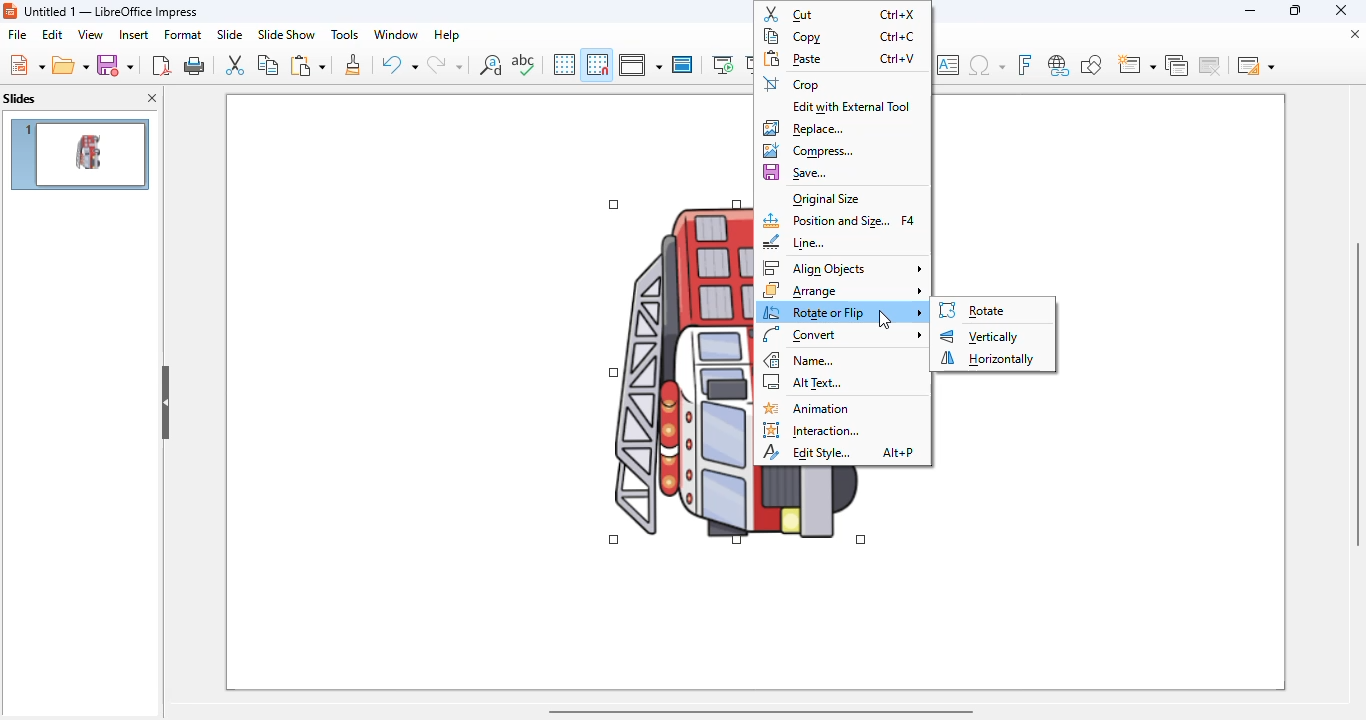 This screenshot has height=720, width=1366. I want to click on hide, so click(164, 403).